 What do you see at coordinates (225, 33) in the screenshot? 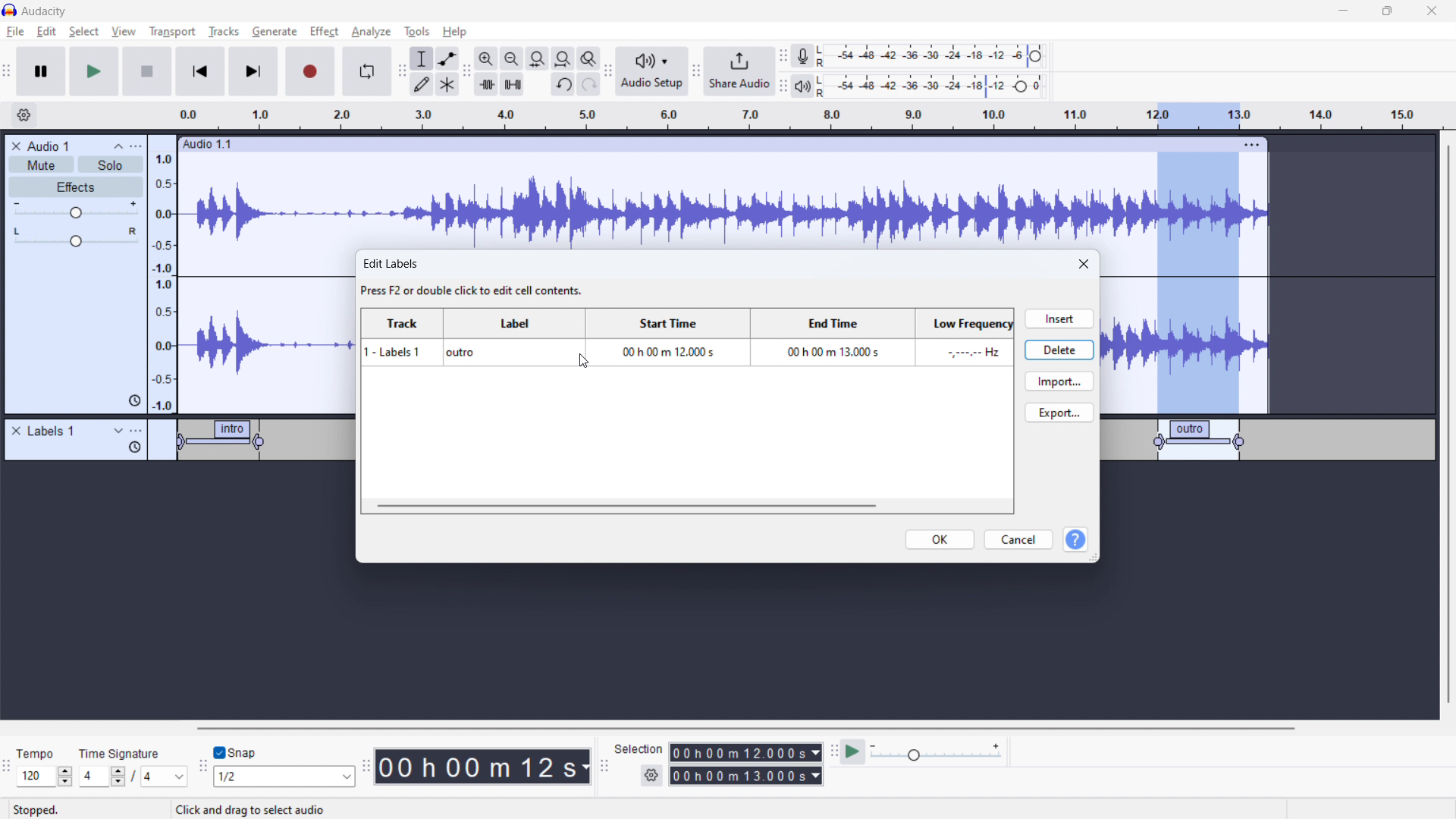
I see `tracks` at bounding box center [225, 33].